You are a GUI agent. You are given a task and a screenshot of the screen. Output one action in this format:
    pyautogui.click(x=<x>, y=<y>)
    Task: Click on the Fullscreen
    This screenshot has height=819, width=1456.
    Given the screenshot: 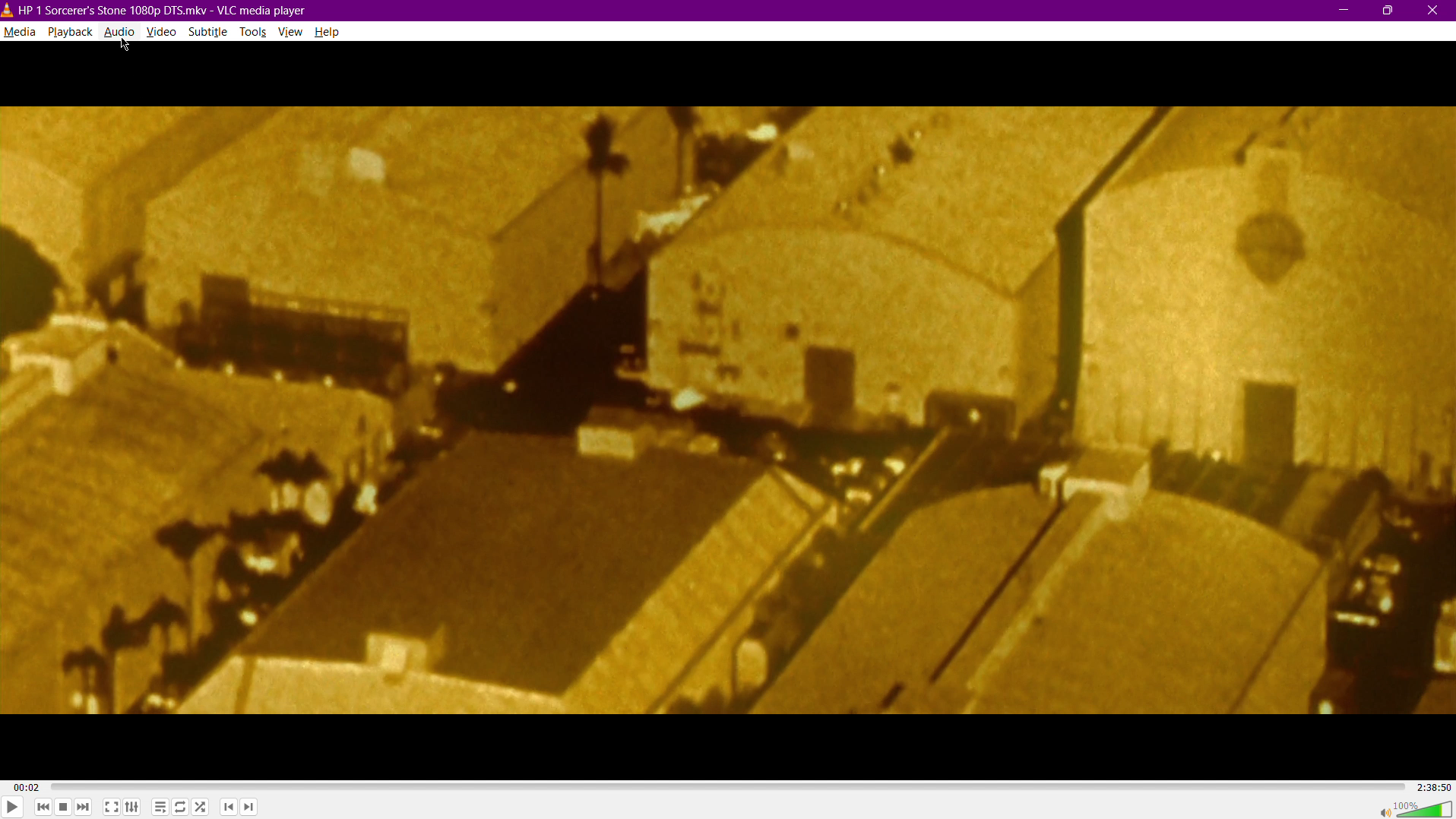 What is the action you would take?
    pyautogui.click(x=112, y=808)
    